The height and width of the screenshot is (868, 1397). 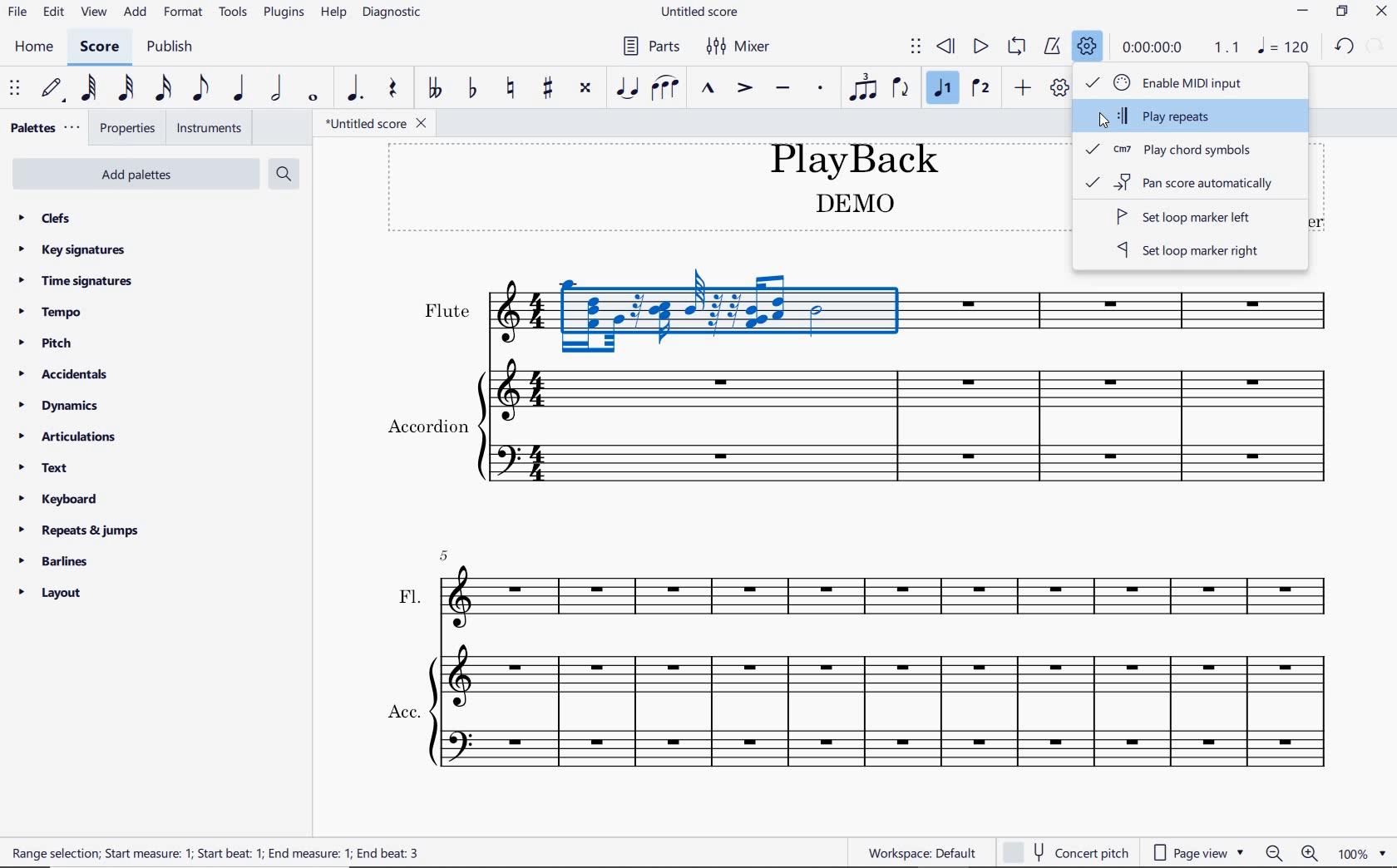 What do you see at coordinates (1188, 150) in the screenshot?
I see `play chord symbols` at bounding box center [1188, 150].